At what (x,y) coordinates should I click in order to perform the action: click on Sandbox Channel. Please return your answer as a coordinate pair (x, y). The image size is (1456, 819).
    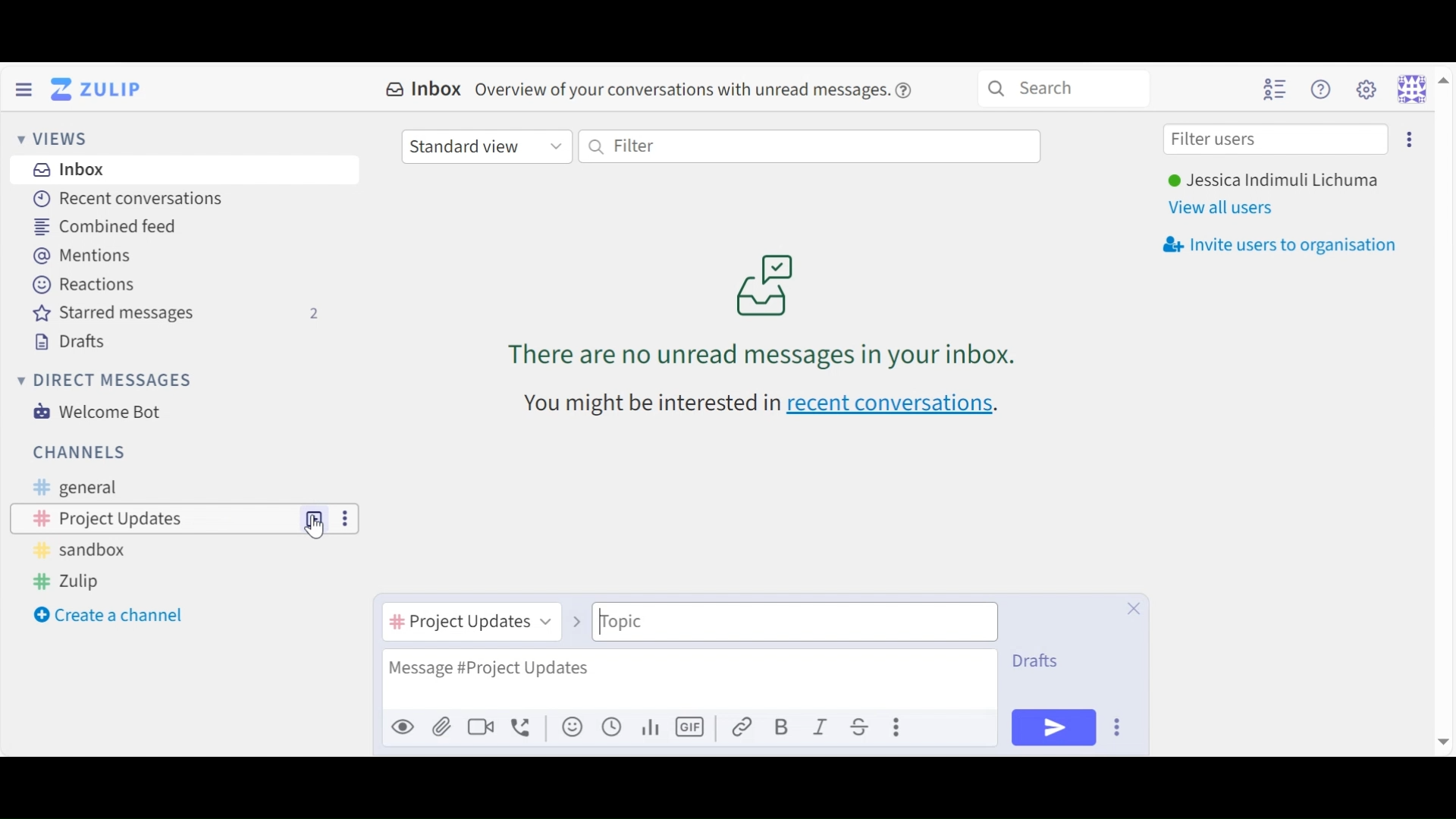
    Looking at the image, I should click on (86, 553).